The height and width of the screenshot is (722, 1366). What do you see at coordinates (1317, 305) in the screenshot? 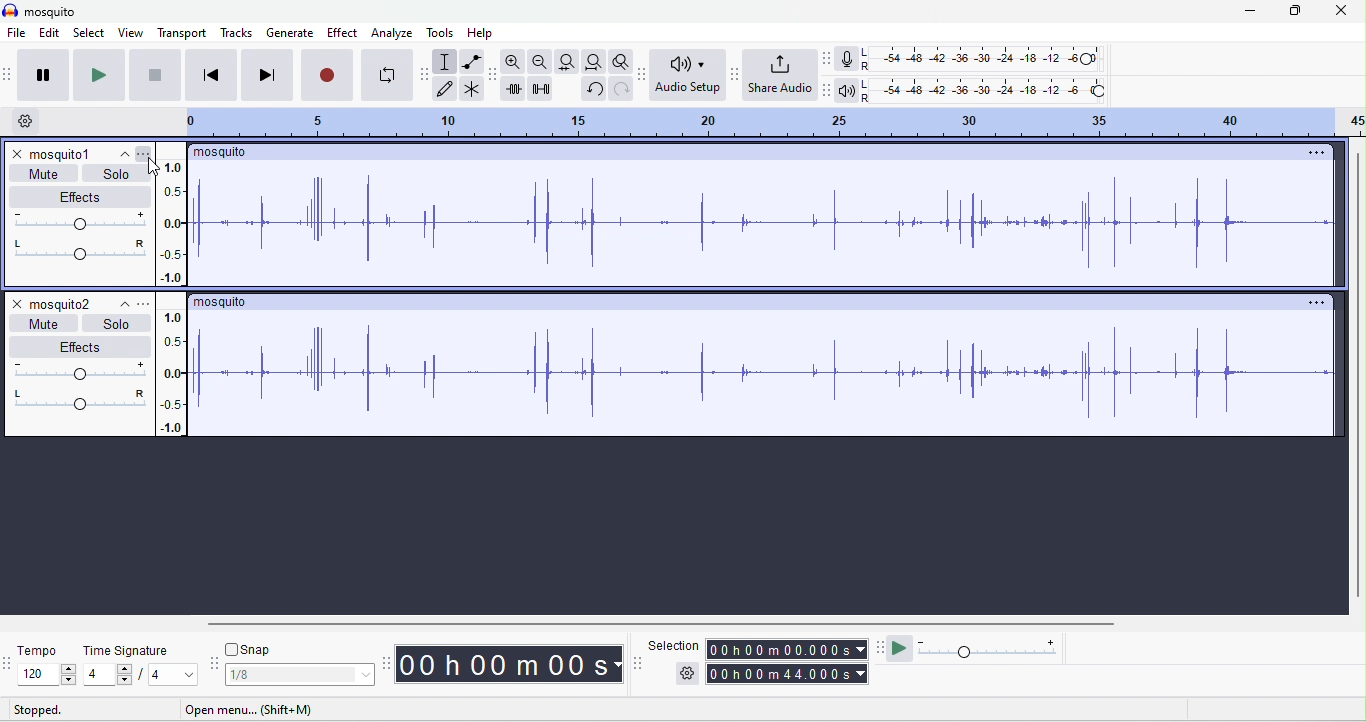
I see `options` at bounding box center [1317, 305].